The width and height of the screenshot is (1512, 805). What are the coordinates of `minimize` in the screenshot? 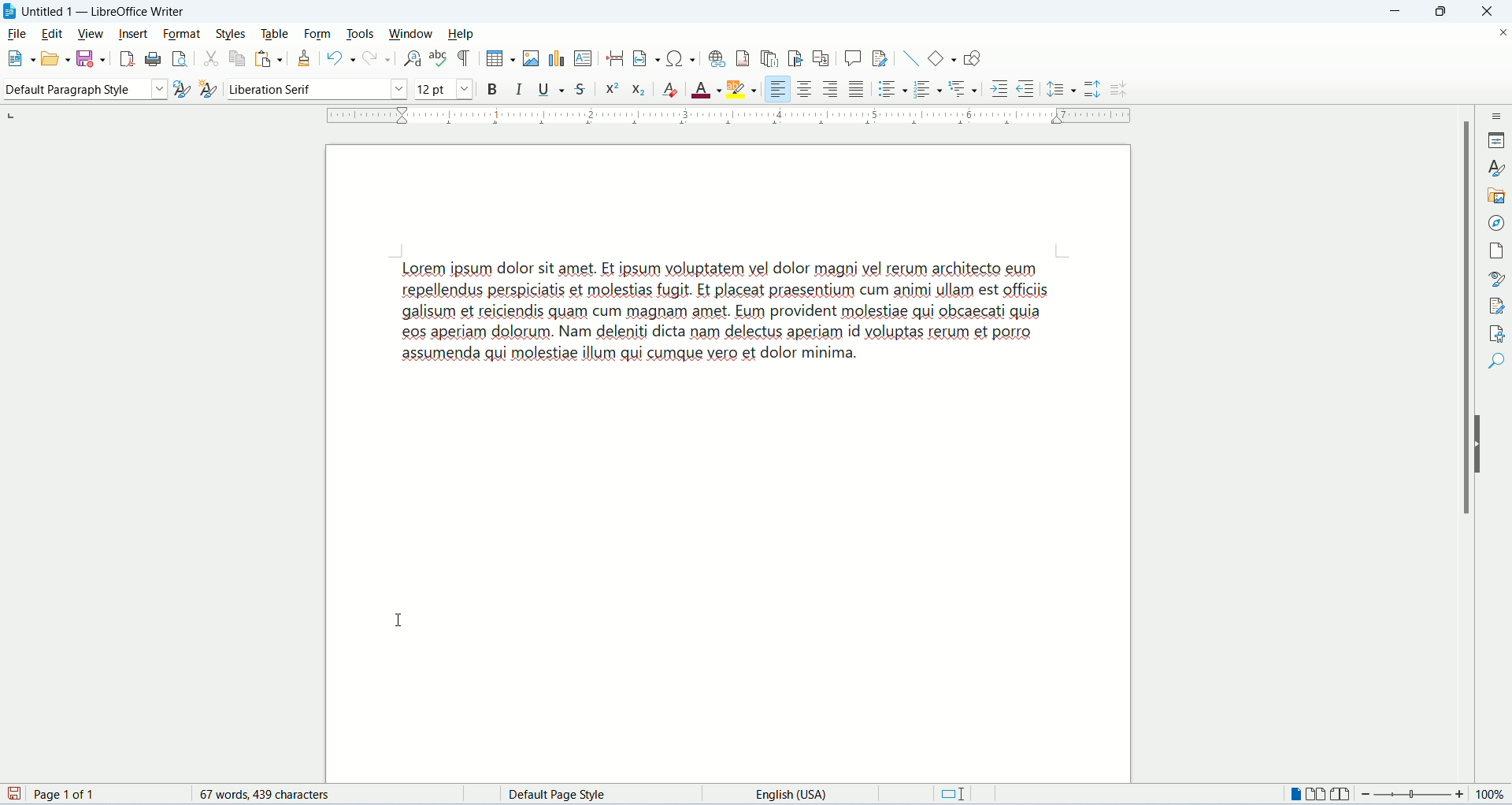 It's located at (1396, 11).